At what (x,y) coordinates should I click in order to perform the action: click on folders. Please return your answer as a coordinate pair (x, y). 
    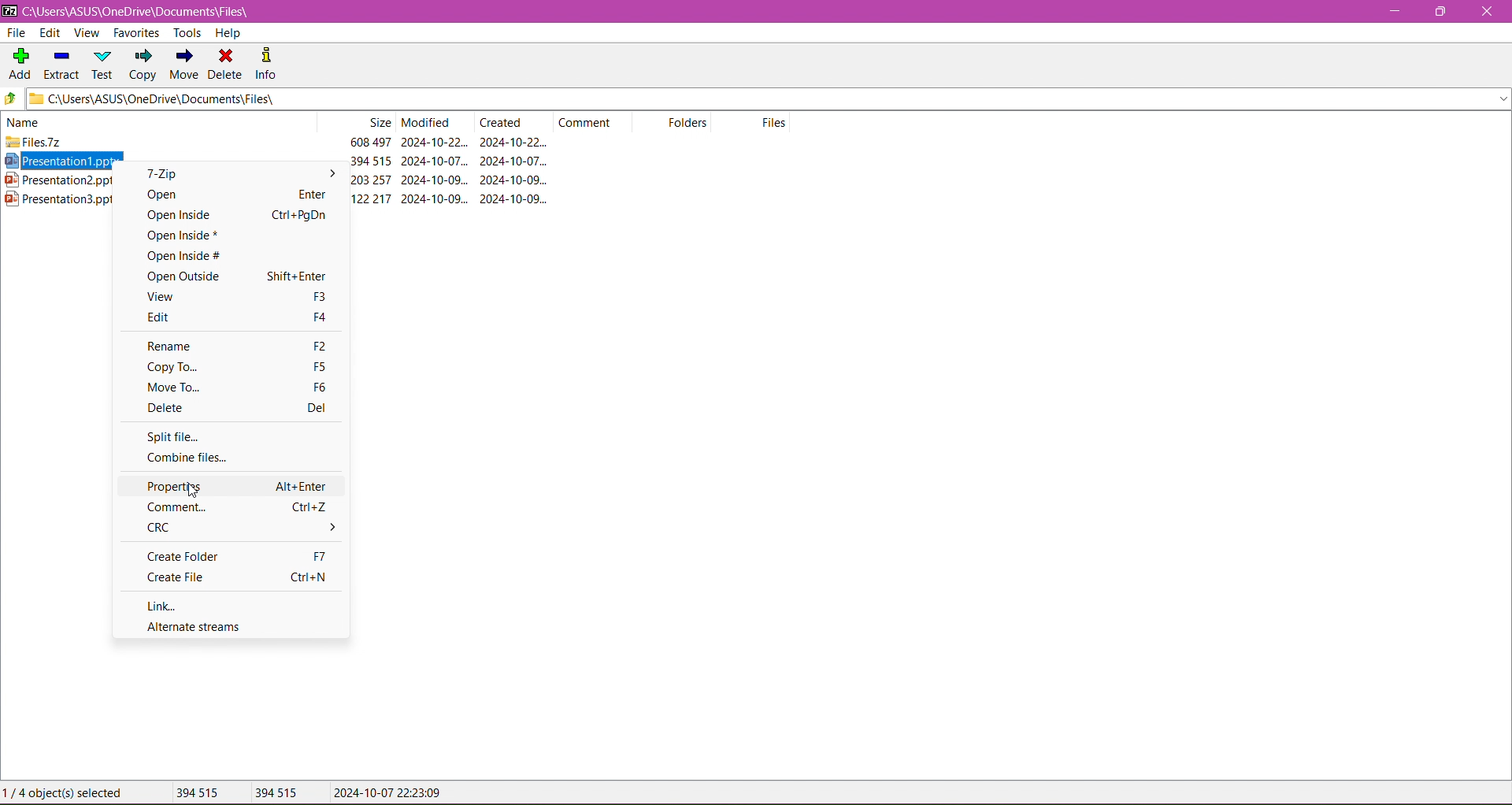
    Looking at the image, I should click on (687, 122).